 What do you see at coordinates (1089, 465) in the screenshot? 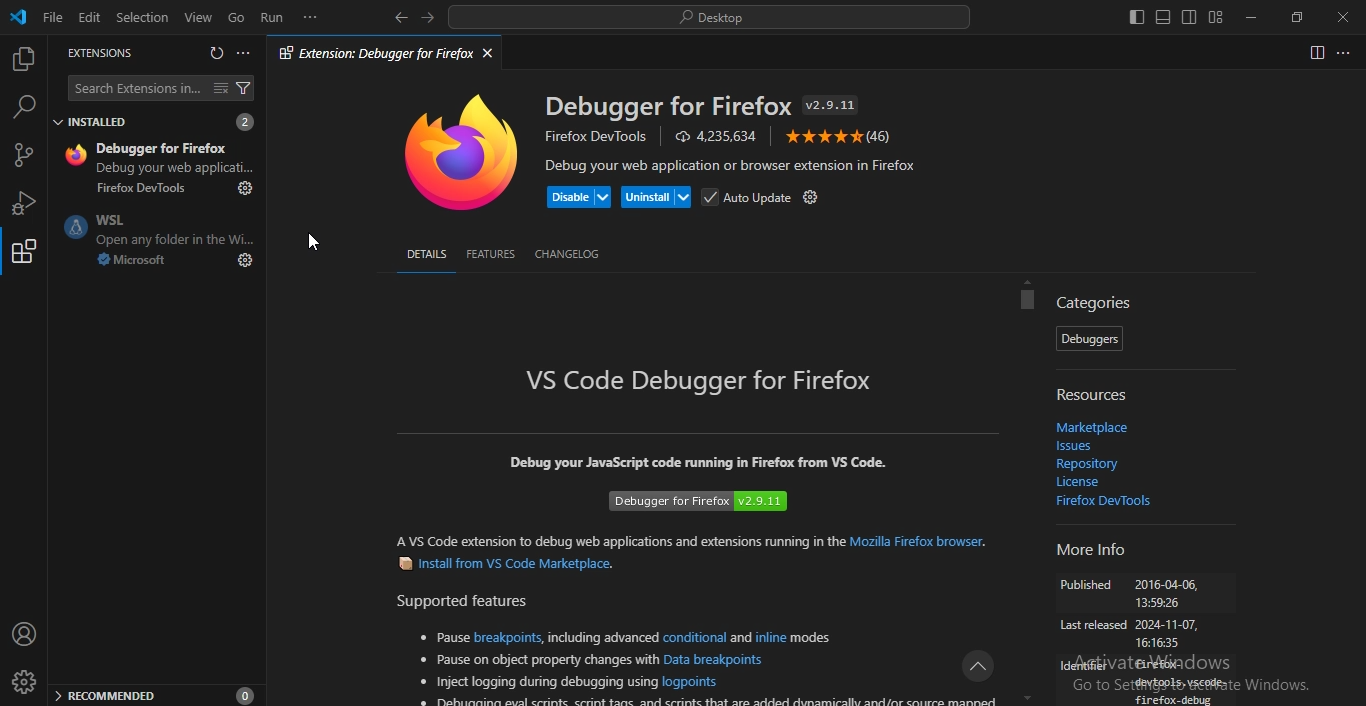
I see `repository` at bounding box center [1089, 465].